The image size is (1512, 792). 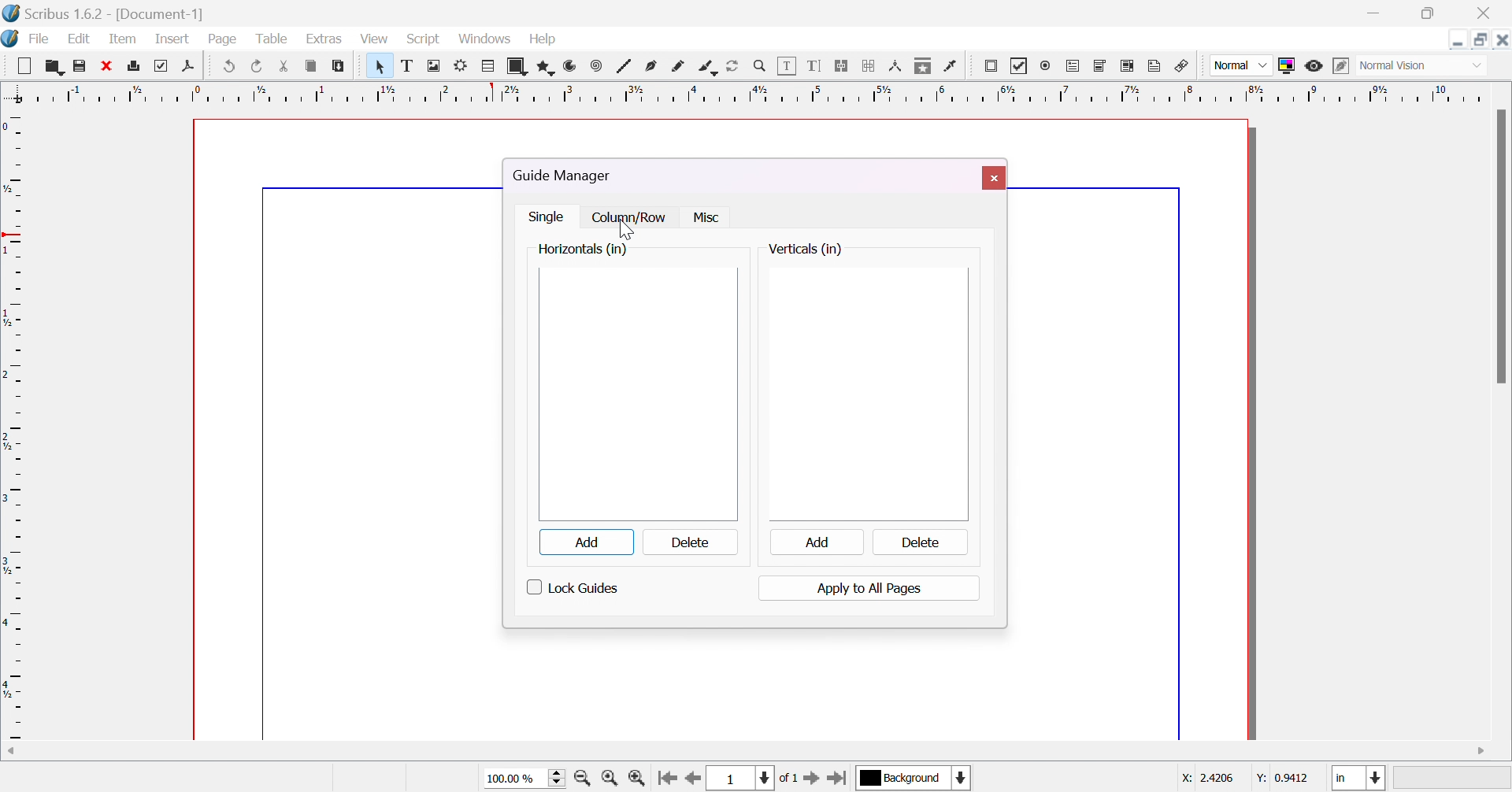 What do you see at coordinates (548, 65) in the screenshot?
I see `polygon` at bounding box center [548, 65].